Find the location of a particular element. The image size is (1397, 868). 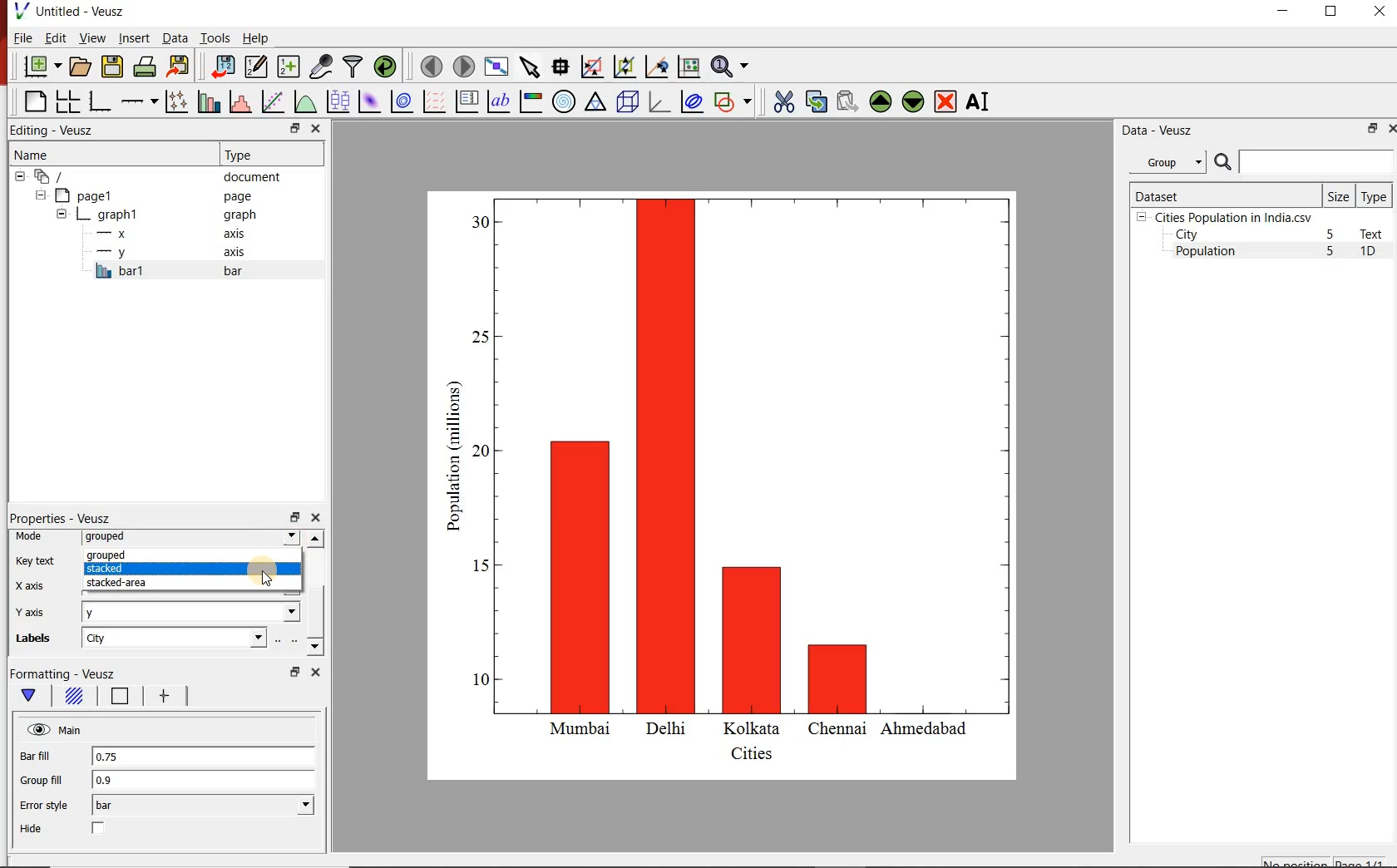

File is located at coordinates (23, 37).